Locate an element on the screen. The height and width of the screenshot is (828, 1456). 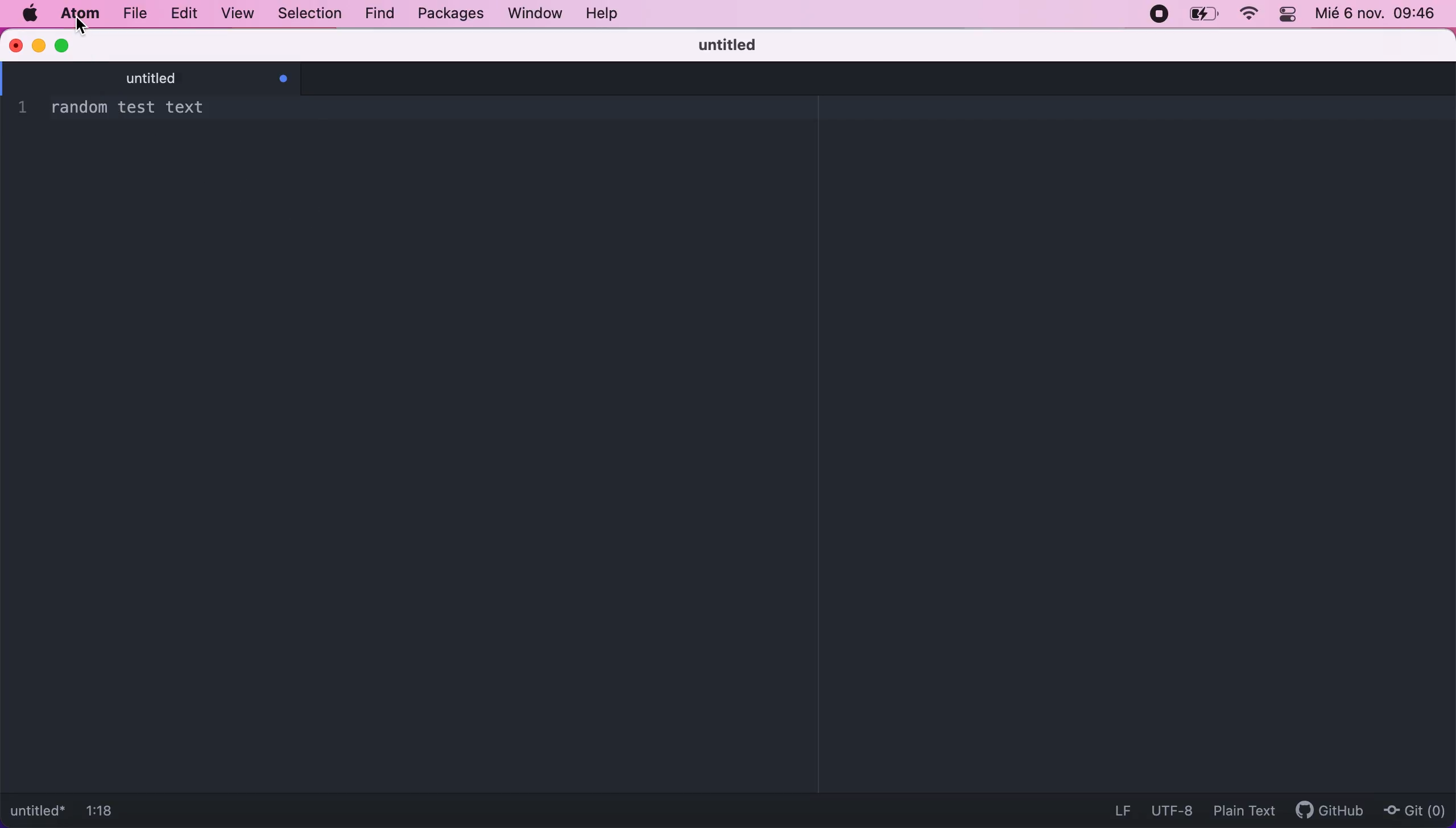
file is located at coordinates (135, 15).